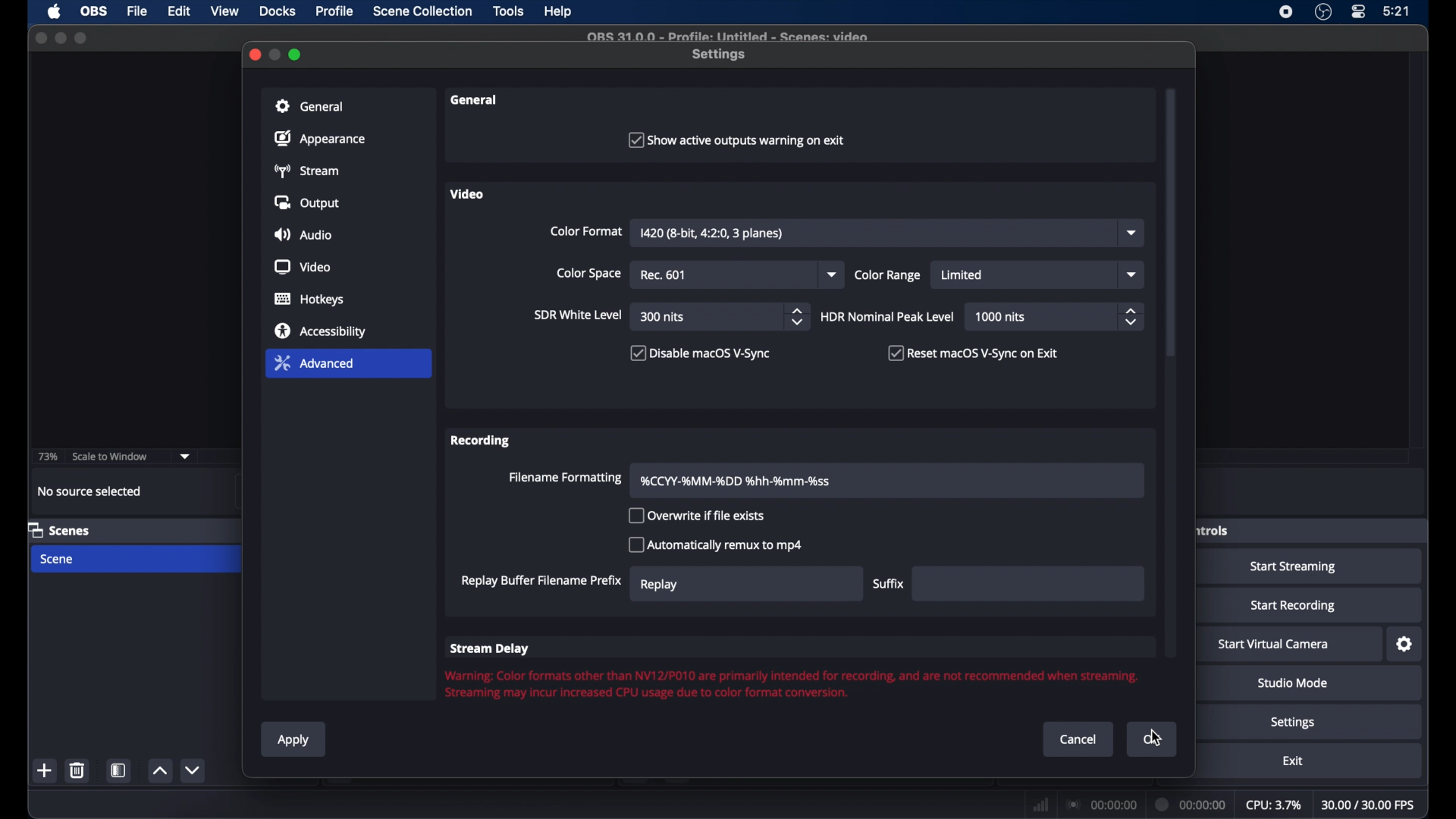 The image size is (1456, 819). I want to click on HDR nominal peak level, so click(887, 316).